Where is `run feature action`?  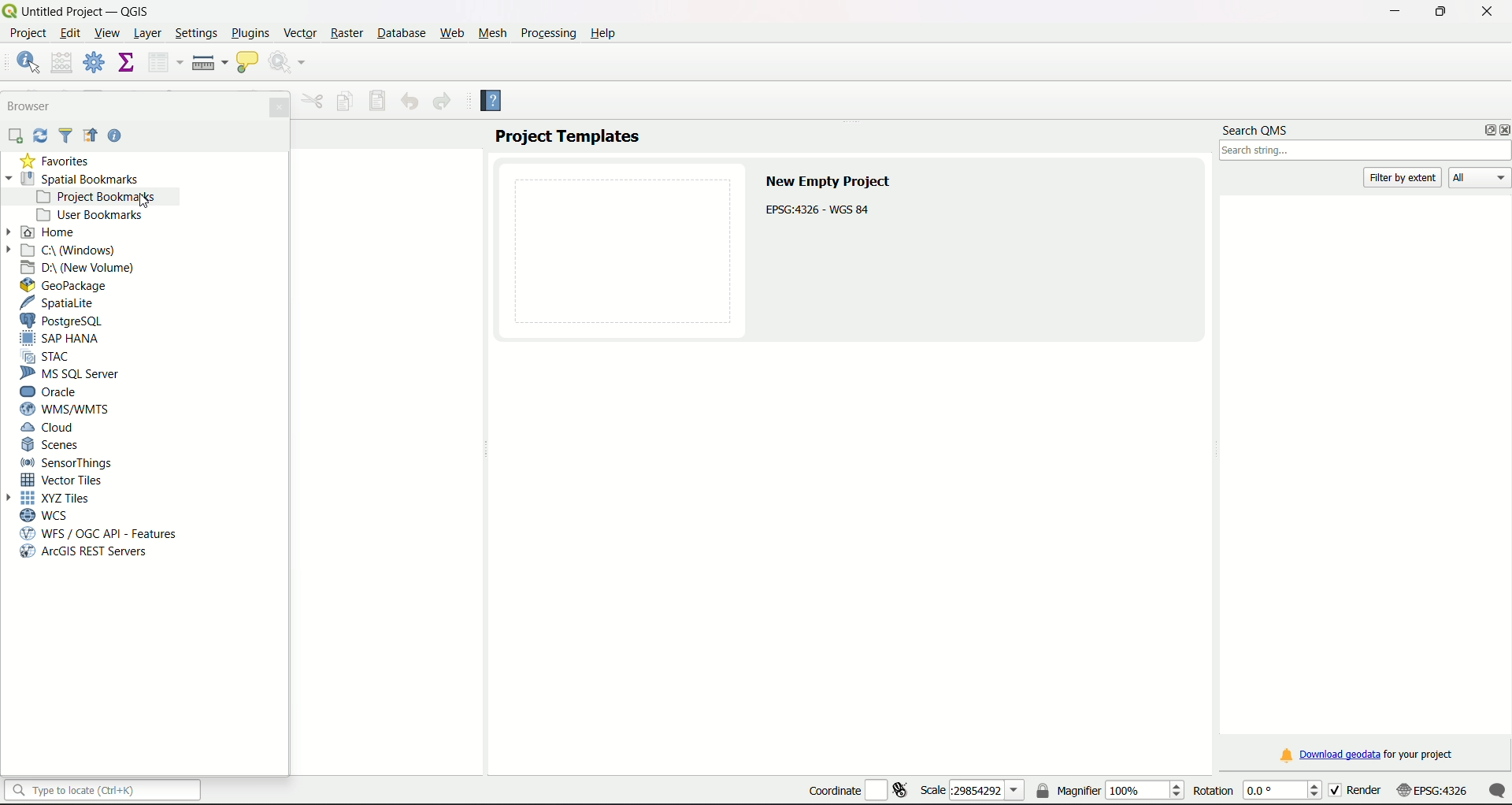 run feature action is located at coordinates (289, 62).